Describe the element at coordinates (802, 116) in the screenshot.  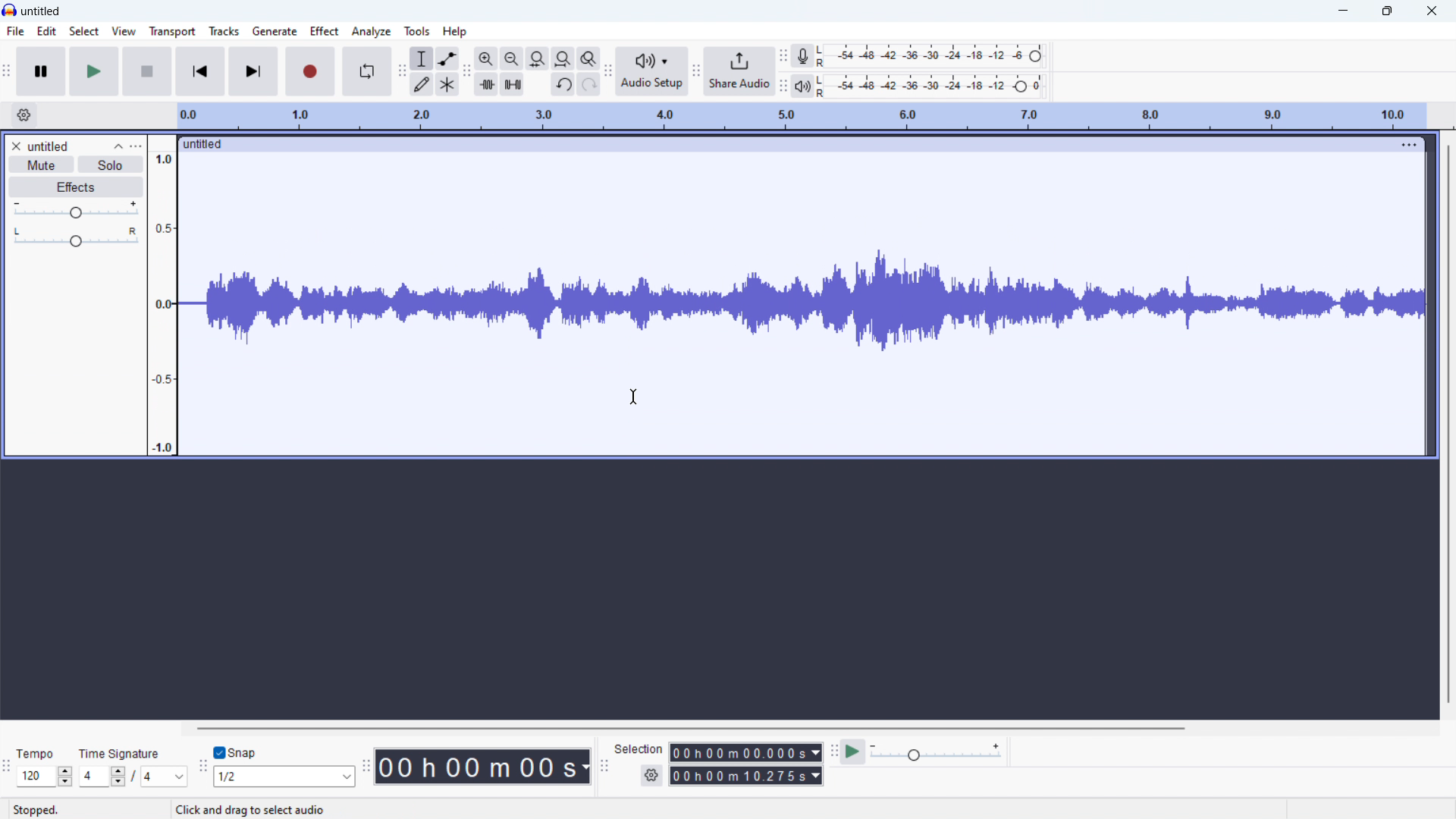
I see `timeline` at that location.